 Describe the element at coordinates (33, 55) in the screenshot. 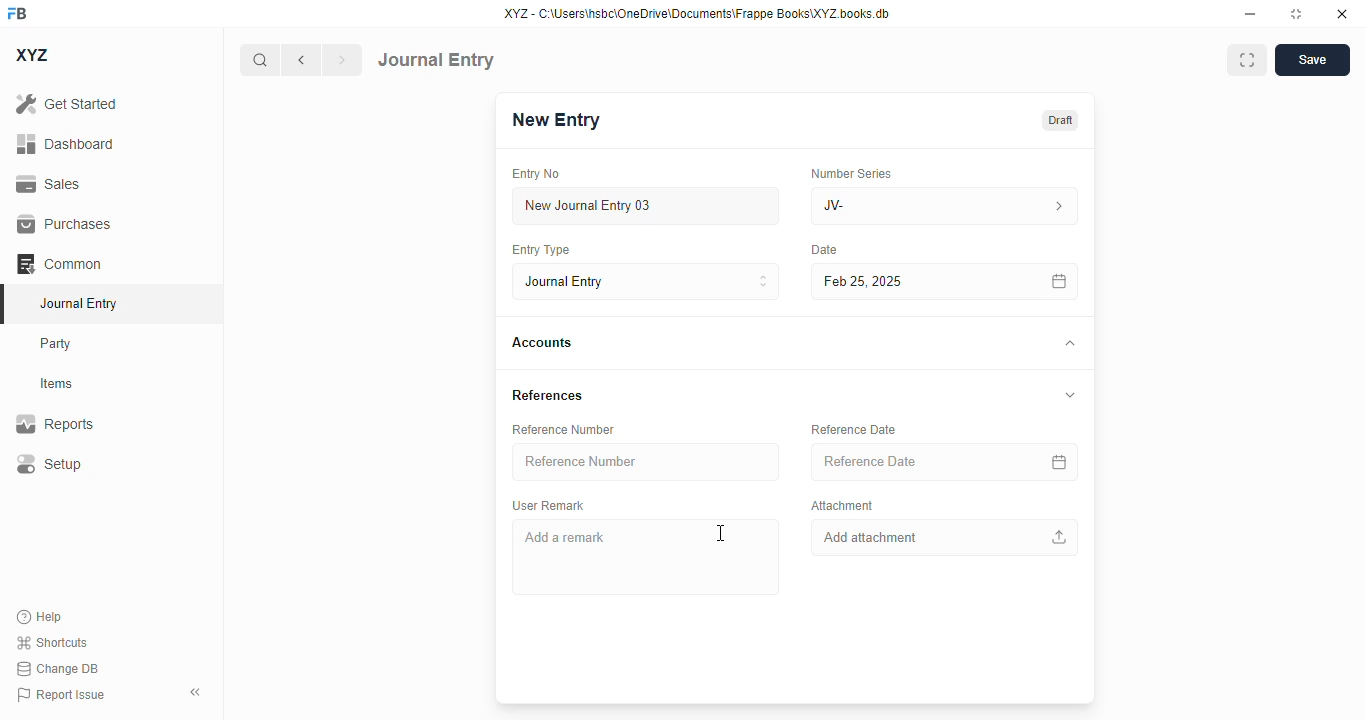

I see `XYZ` at that location.